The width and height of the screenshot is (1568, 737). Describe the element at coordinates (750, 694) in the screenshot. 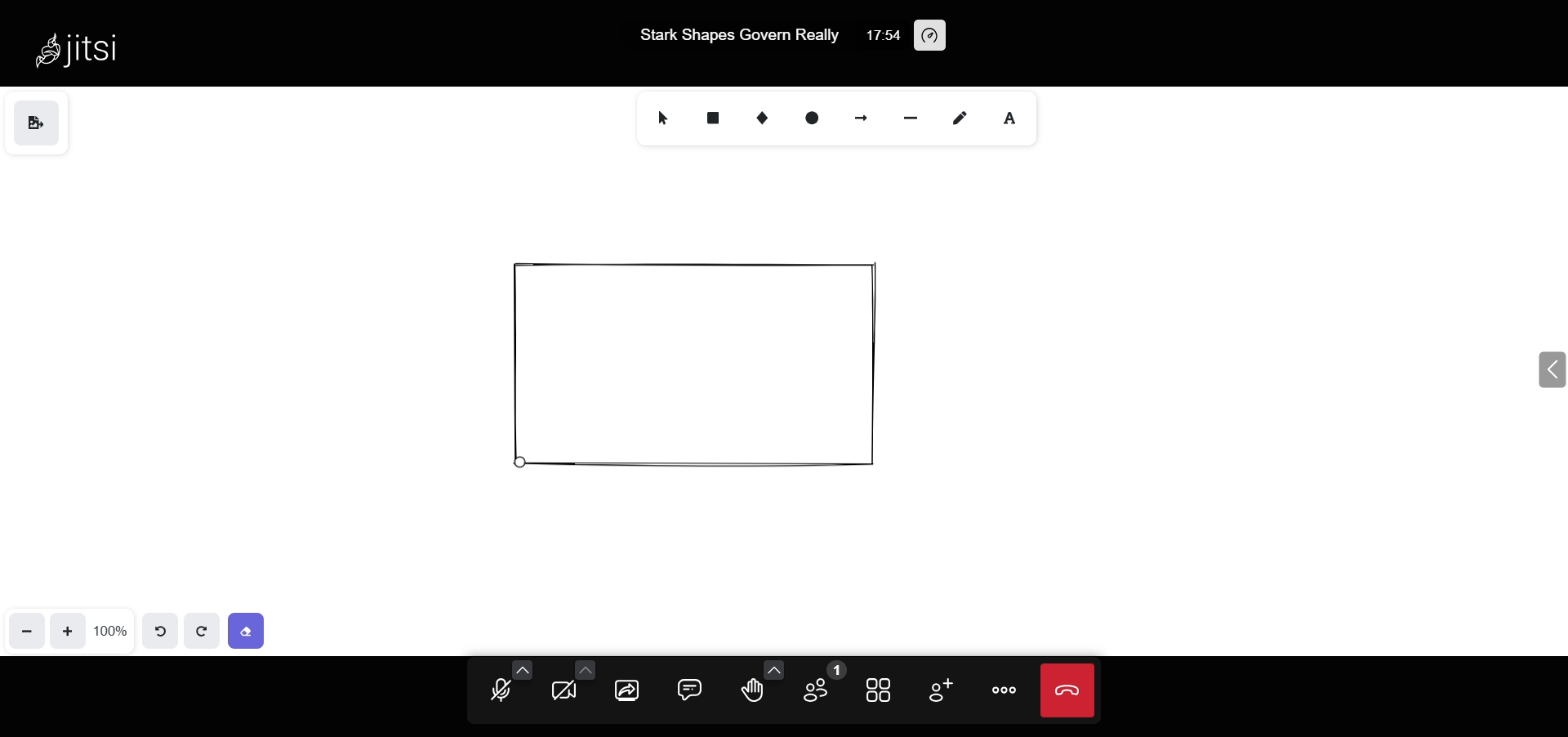

I see `raise hand` at that location.